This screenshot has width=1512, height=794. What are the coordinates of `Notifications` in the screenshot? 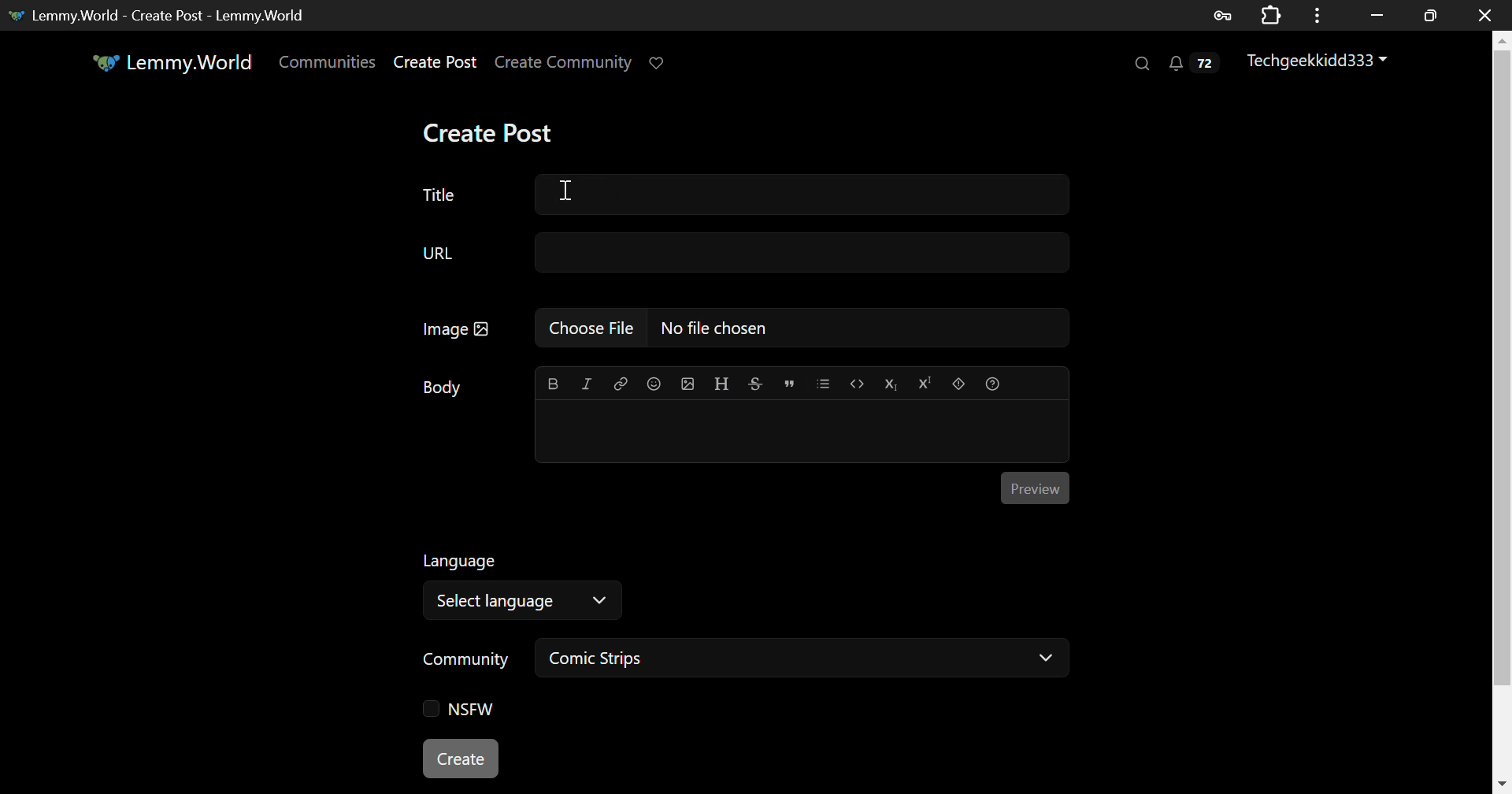 It's located at (1192, 67).